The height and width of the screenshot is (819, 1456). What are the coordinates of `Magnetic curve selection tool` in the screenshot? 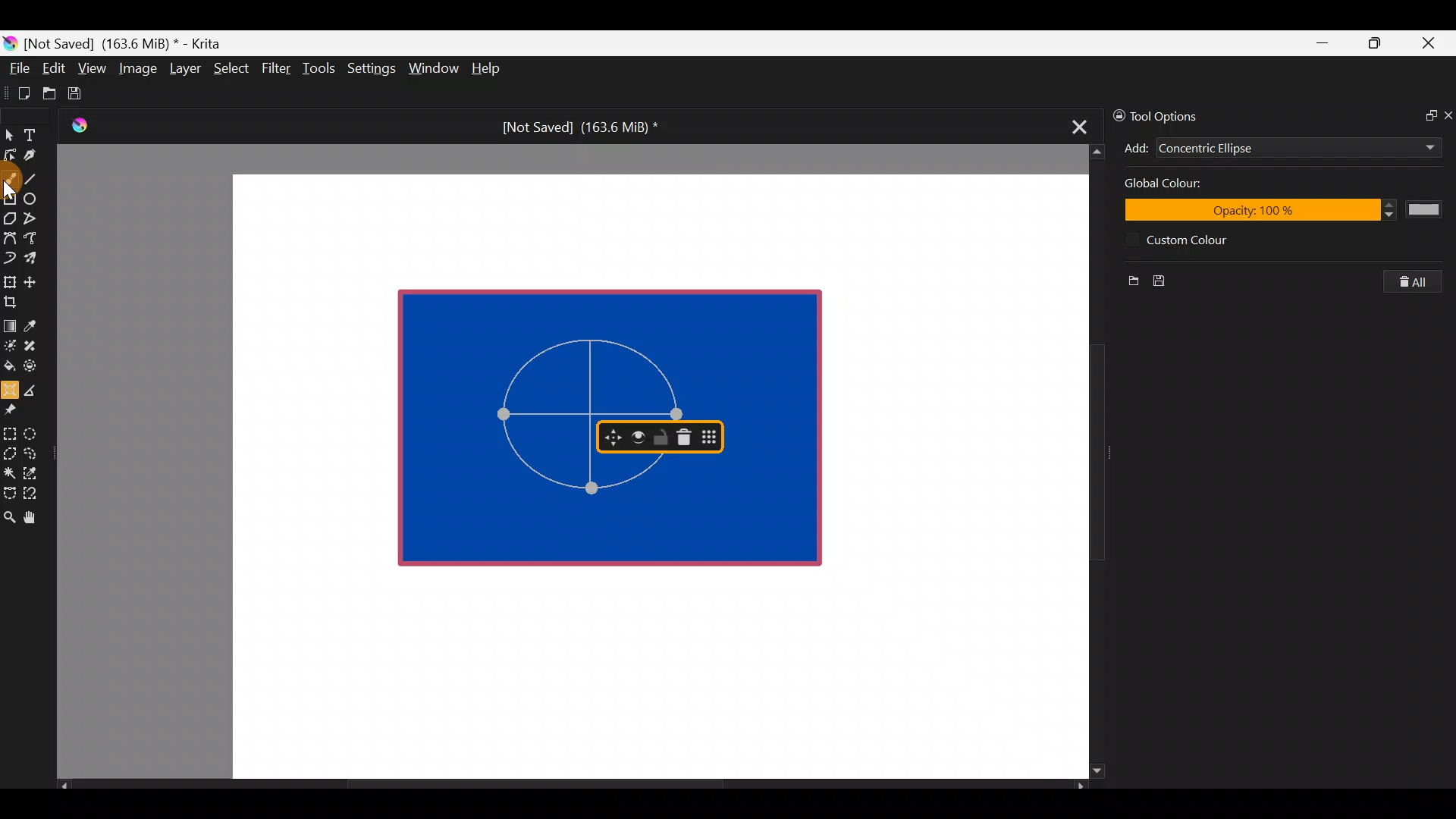 It's located at (35, 494).